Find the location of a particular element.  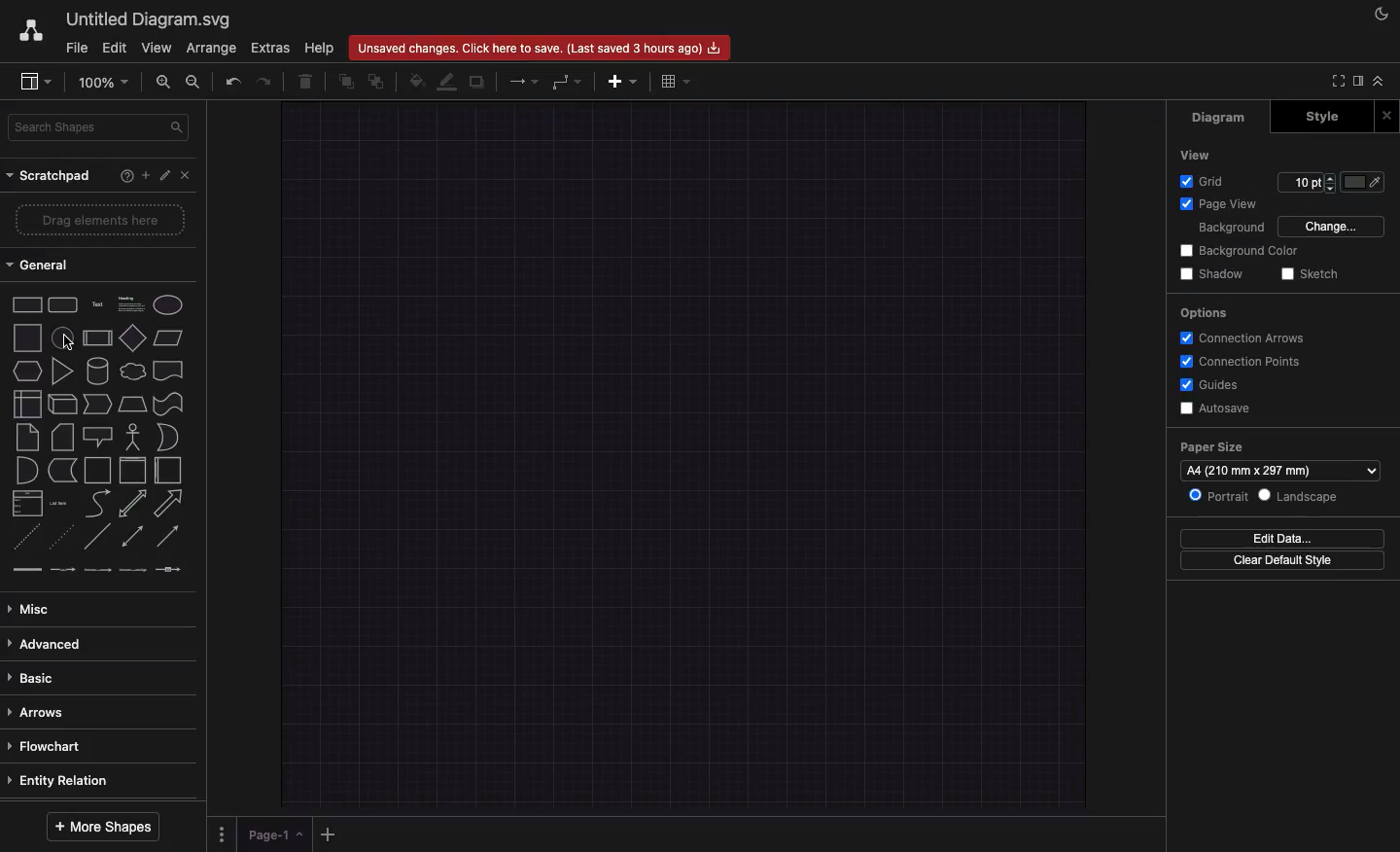

Change is located at coordinates (1335, 227).